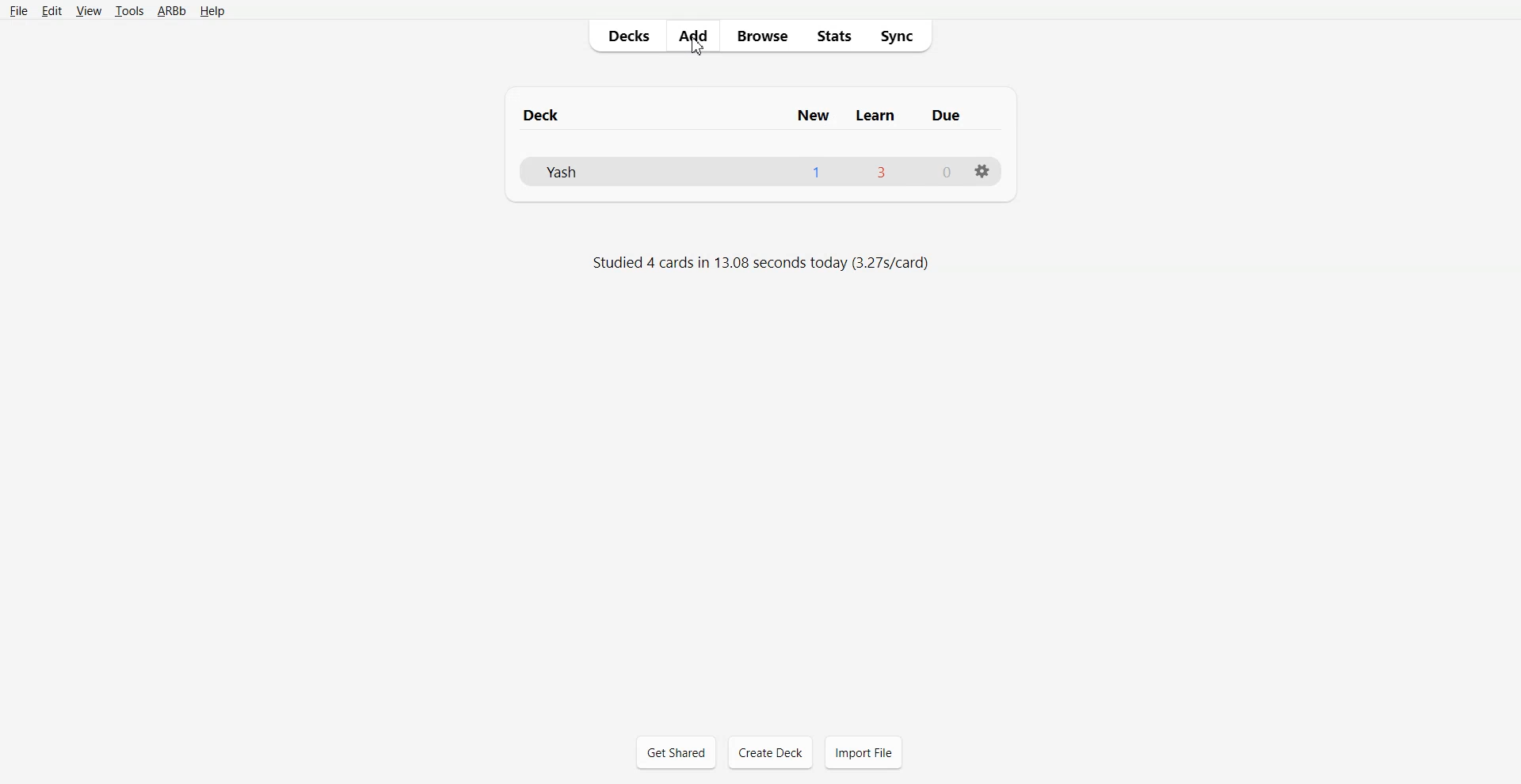  What do you see at coordinates (626, 35) in the screenshot?
I see `Decks` at bounding box center [626, 35].